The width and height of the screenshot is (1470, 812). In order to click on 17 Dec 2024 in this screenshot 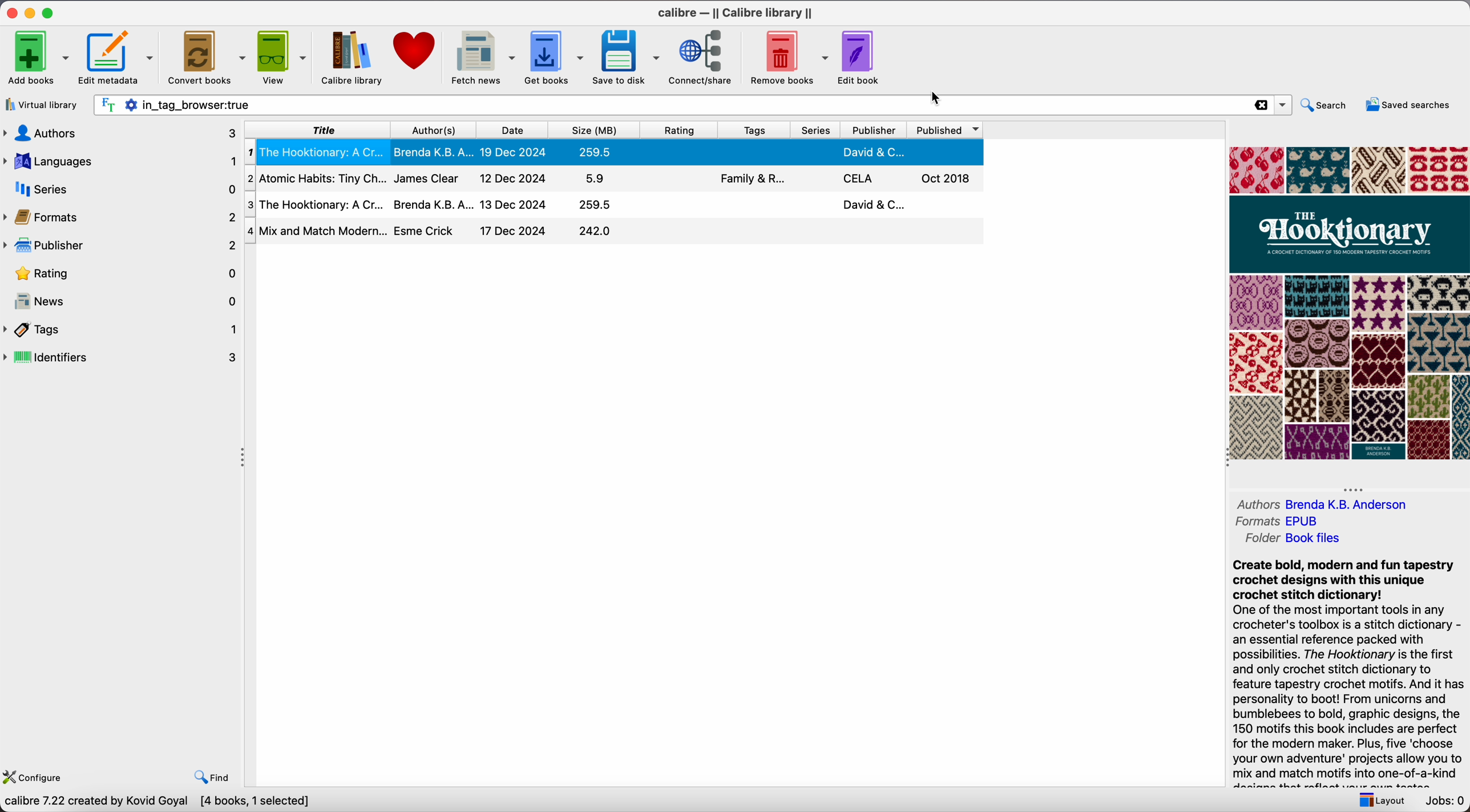, I will do `click(514, 231)`.